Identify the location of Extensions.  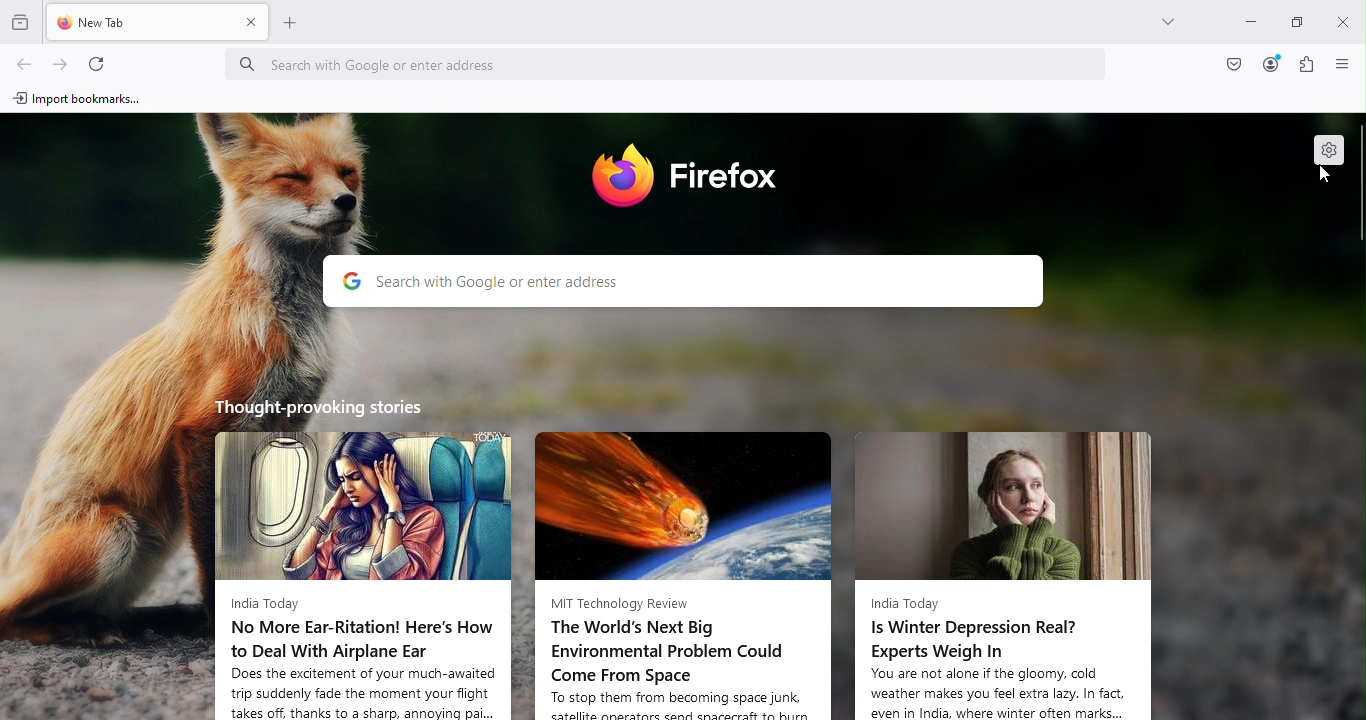
(1305, 67).